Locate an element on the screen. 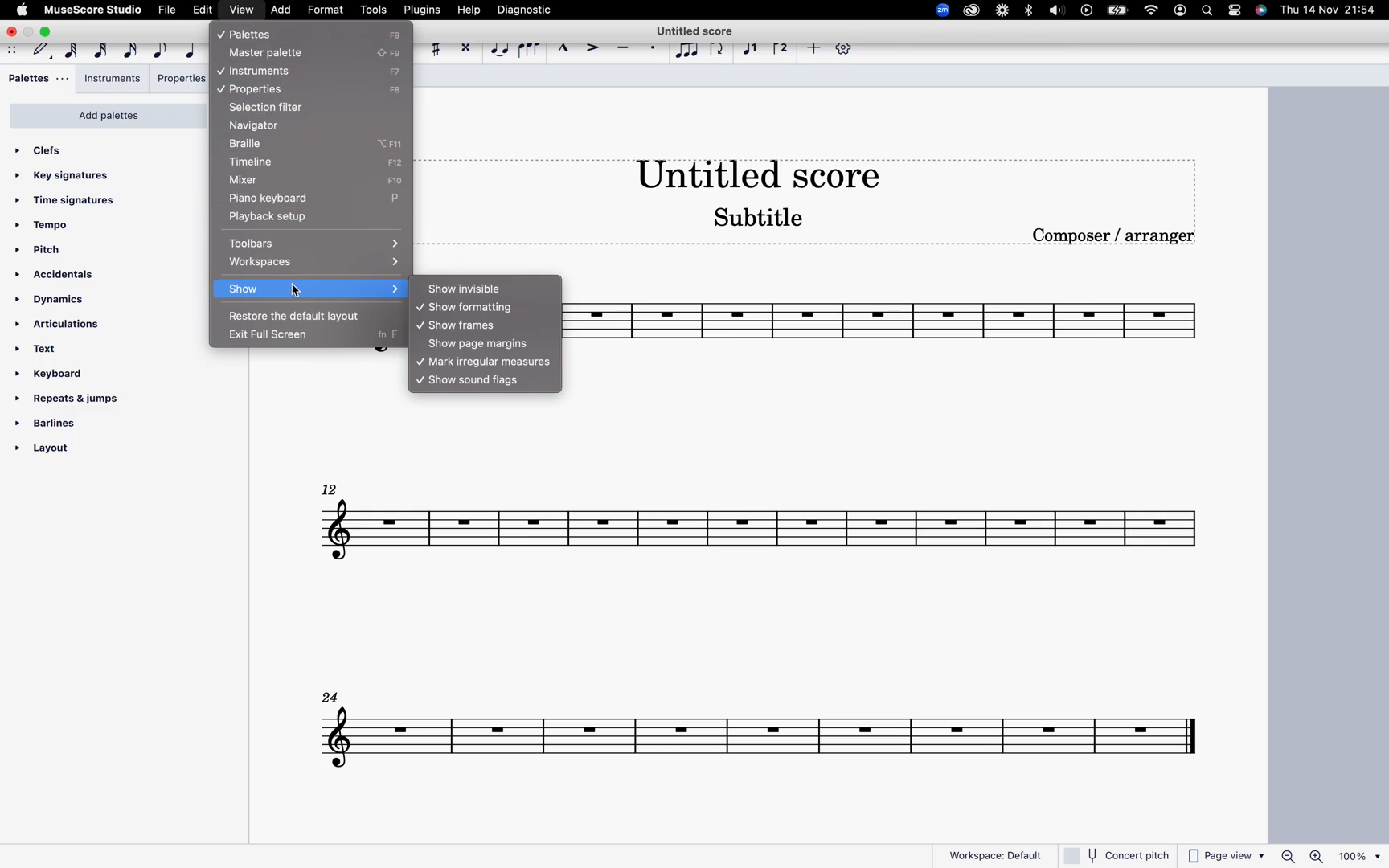  show page margins is located at coordinates (484, 343).